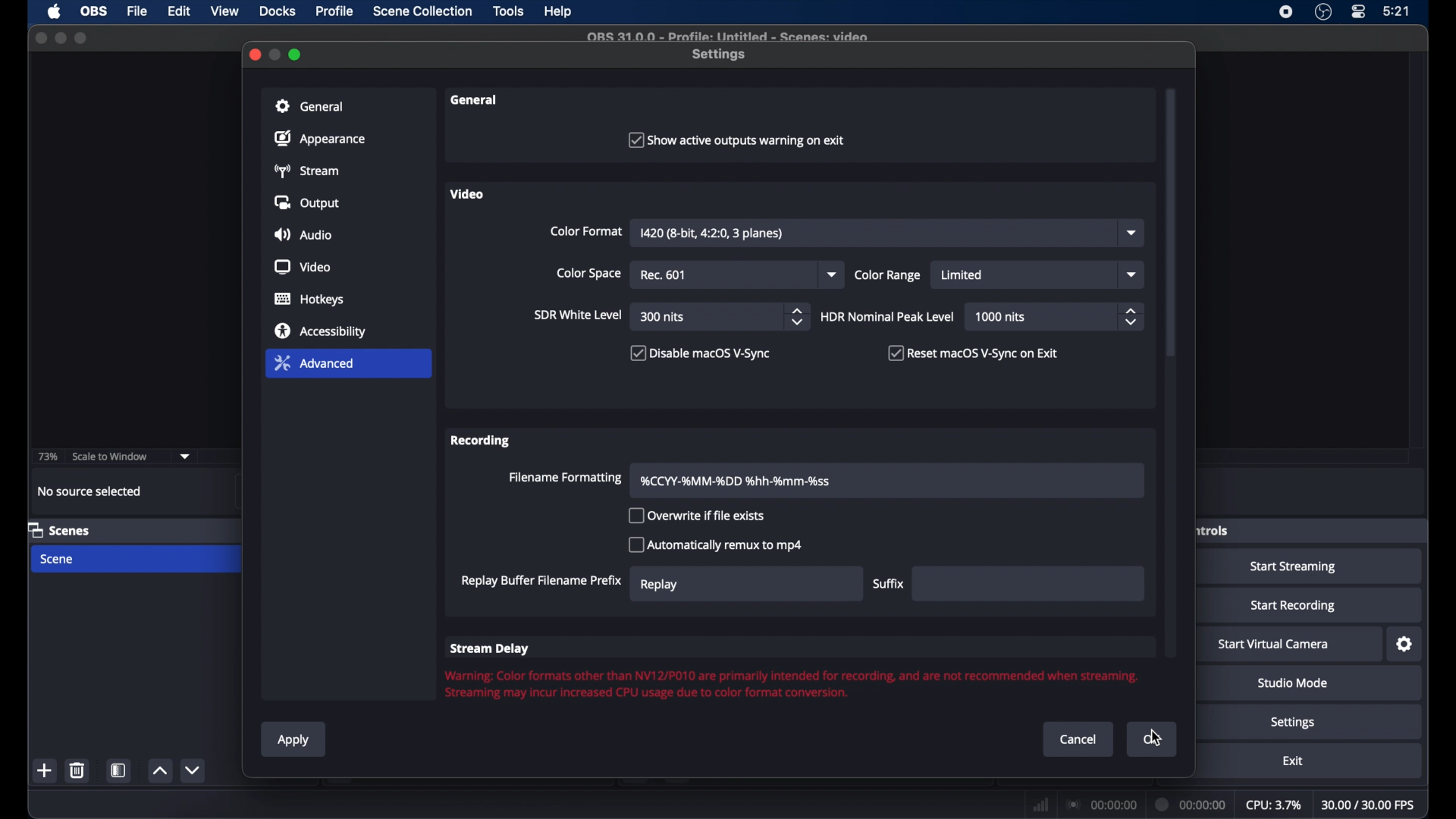 The height and width of the screenshot is (819, 1456). Describe the element at coordinates (95, 11) in the screenshot. I see `ob` at that location.